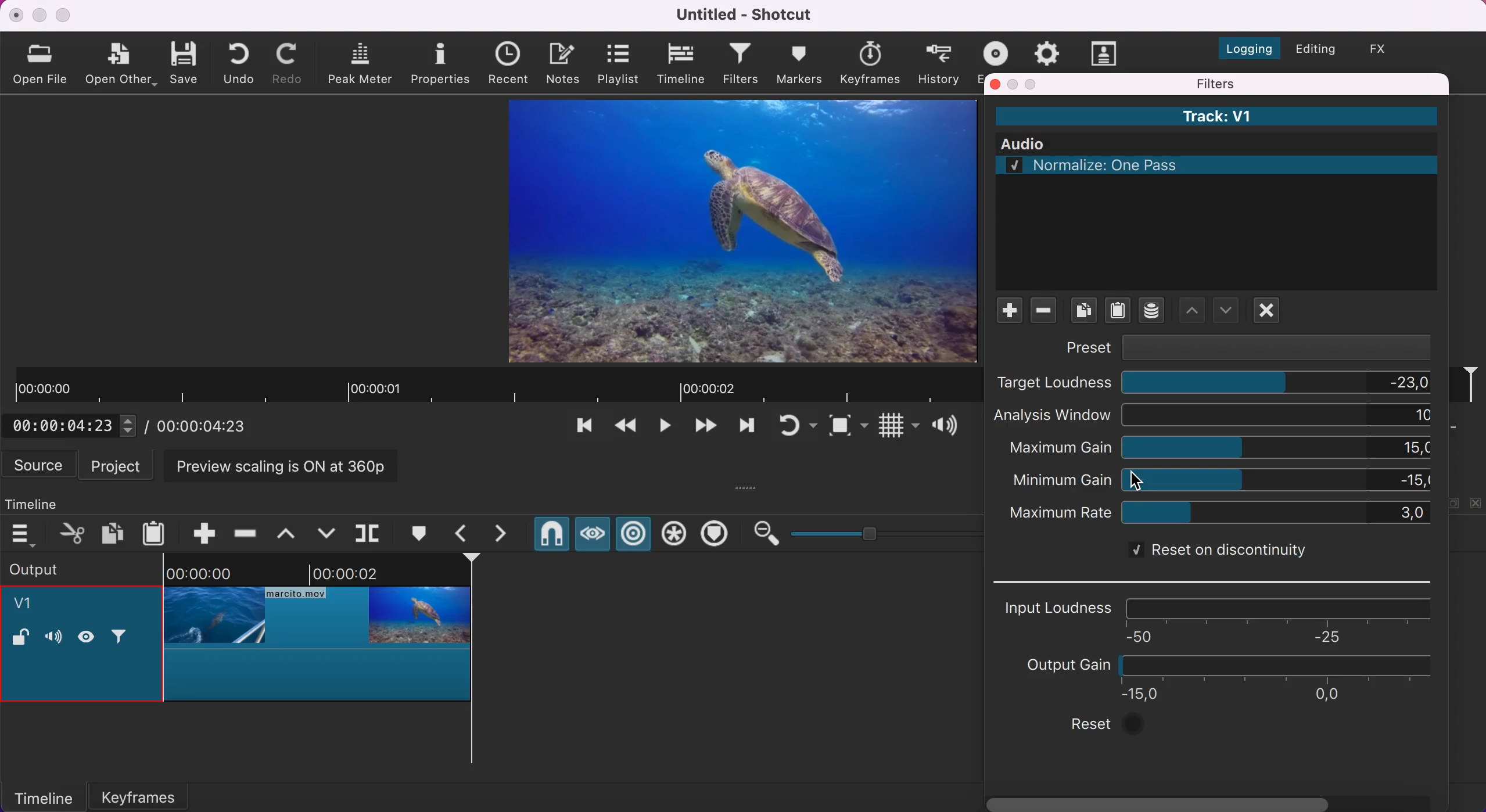 Image resolution: width=1486 pixels, height=812 pixels. I want to click on minimize, so click(1014, 84).